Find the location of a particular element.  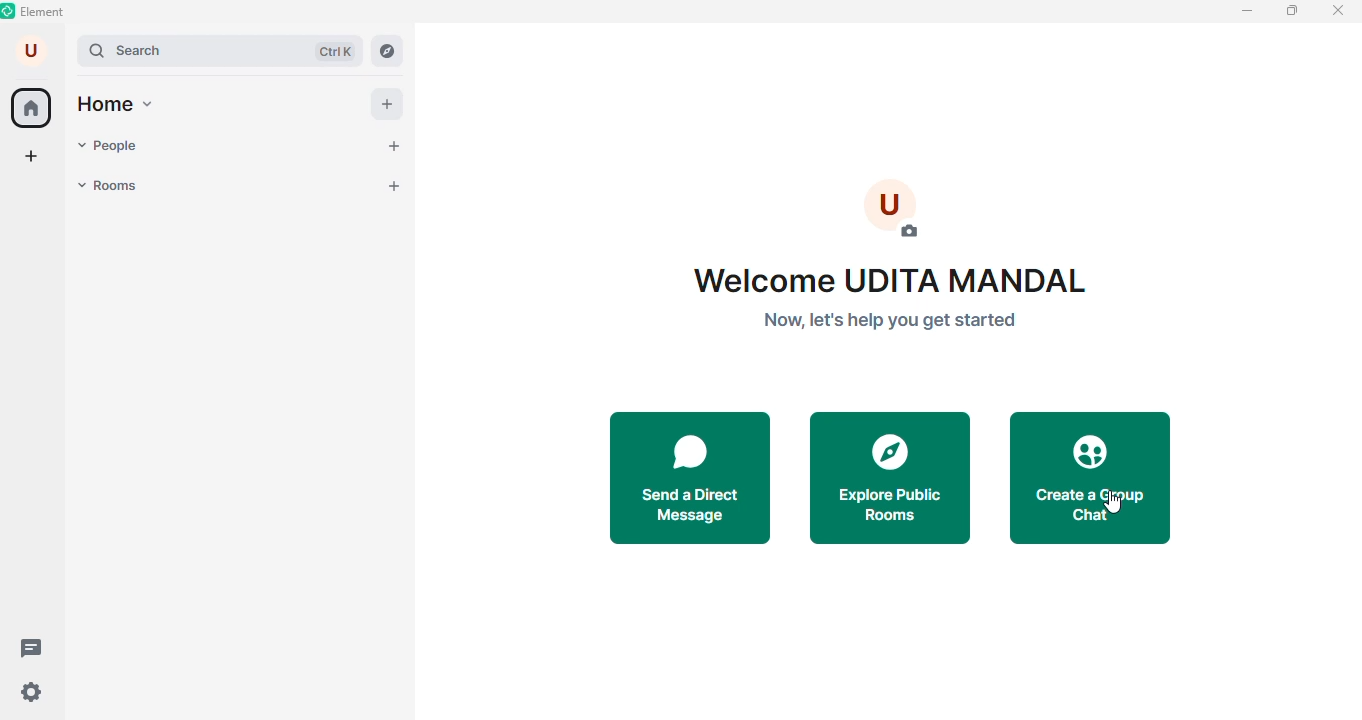

add people is located at coordinates (397, 147).